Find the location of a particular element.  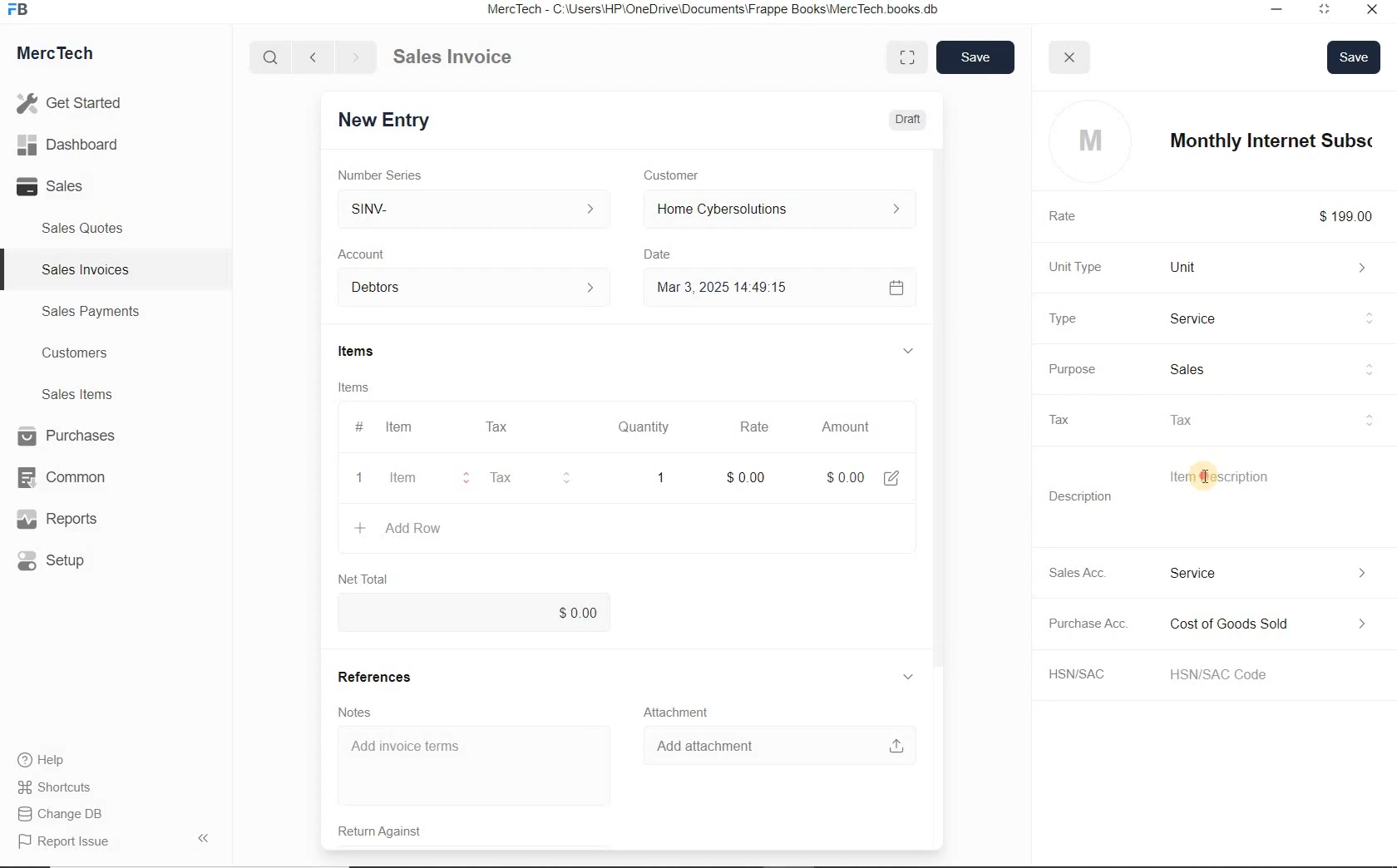

Maximum is located at coordinates (1315, 12).